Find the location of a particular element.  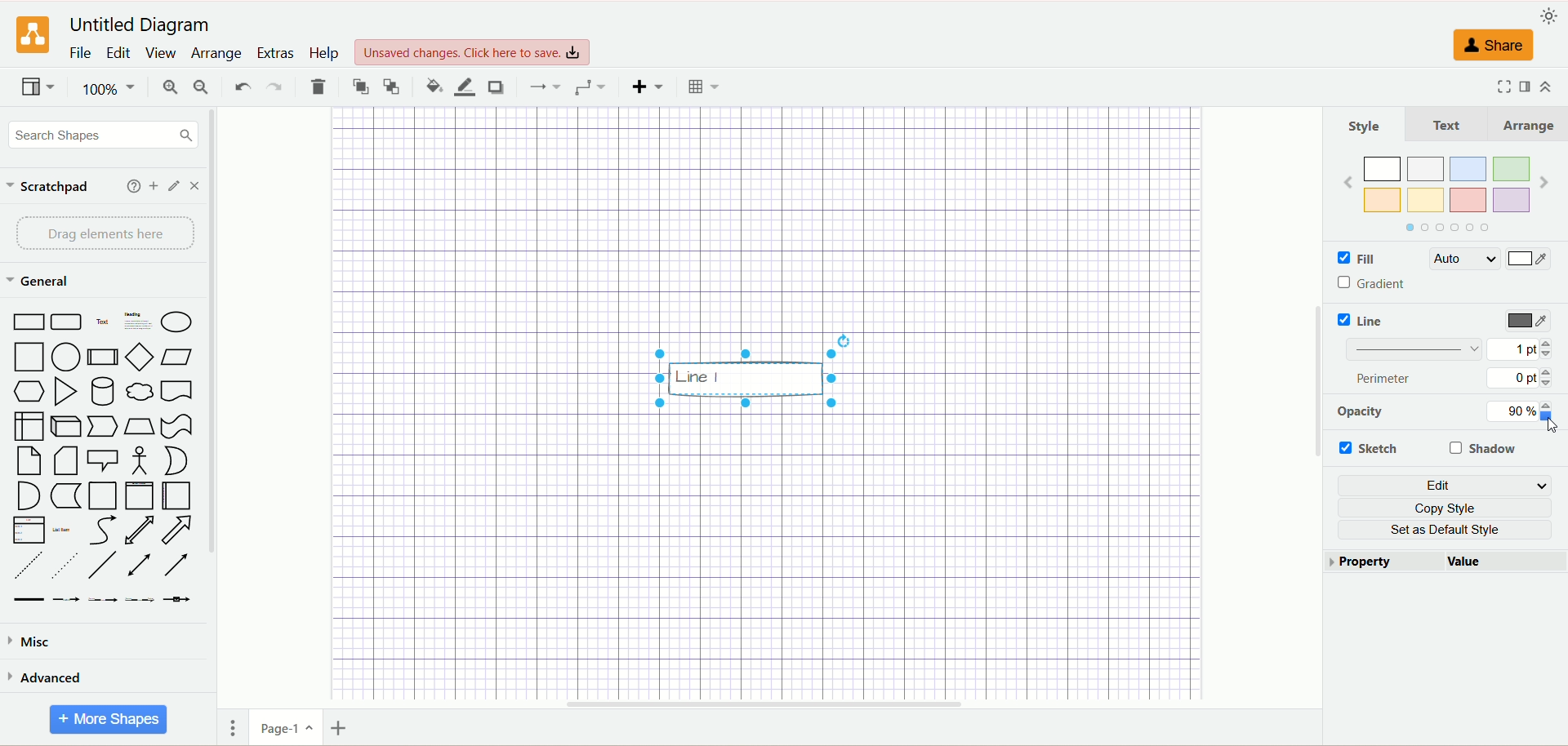

Note is located at coordinates (26, 461).